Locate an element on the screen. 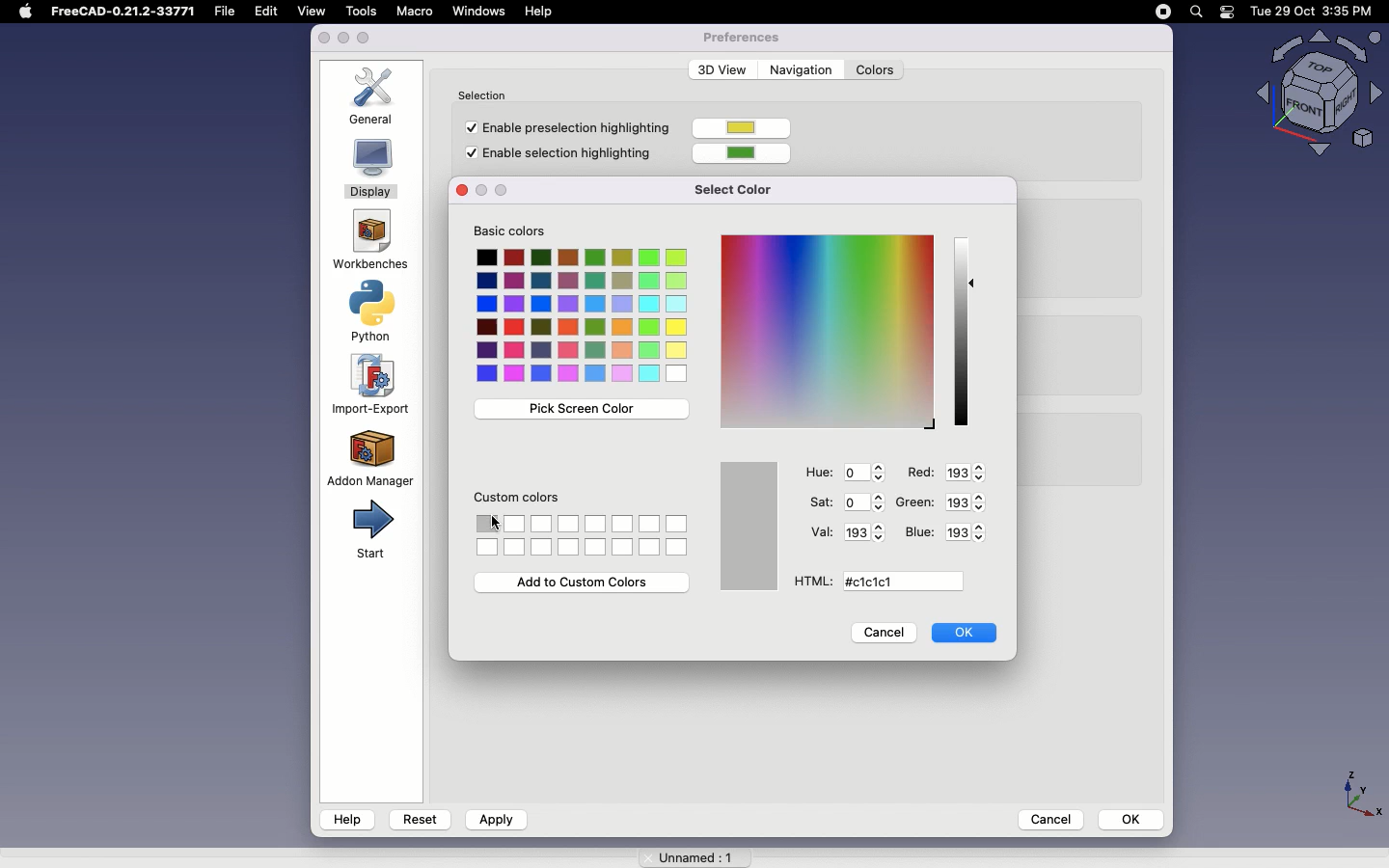 The image size is (1389, 868). Unnamed 1 is located at coordinates (688, 854).